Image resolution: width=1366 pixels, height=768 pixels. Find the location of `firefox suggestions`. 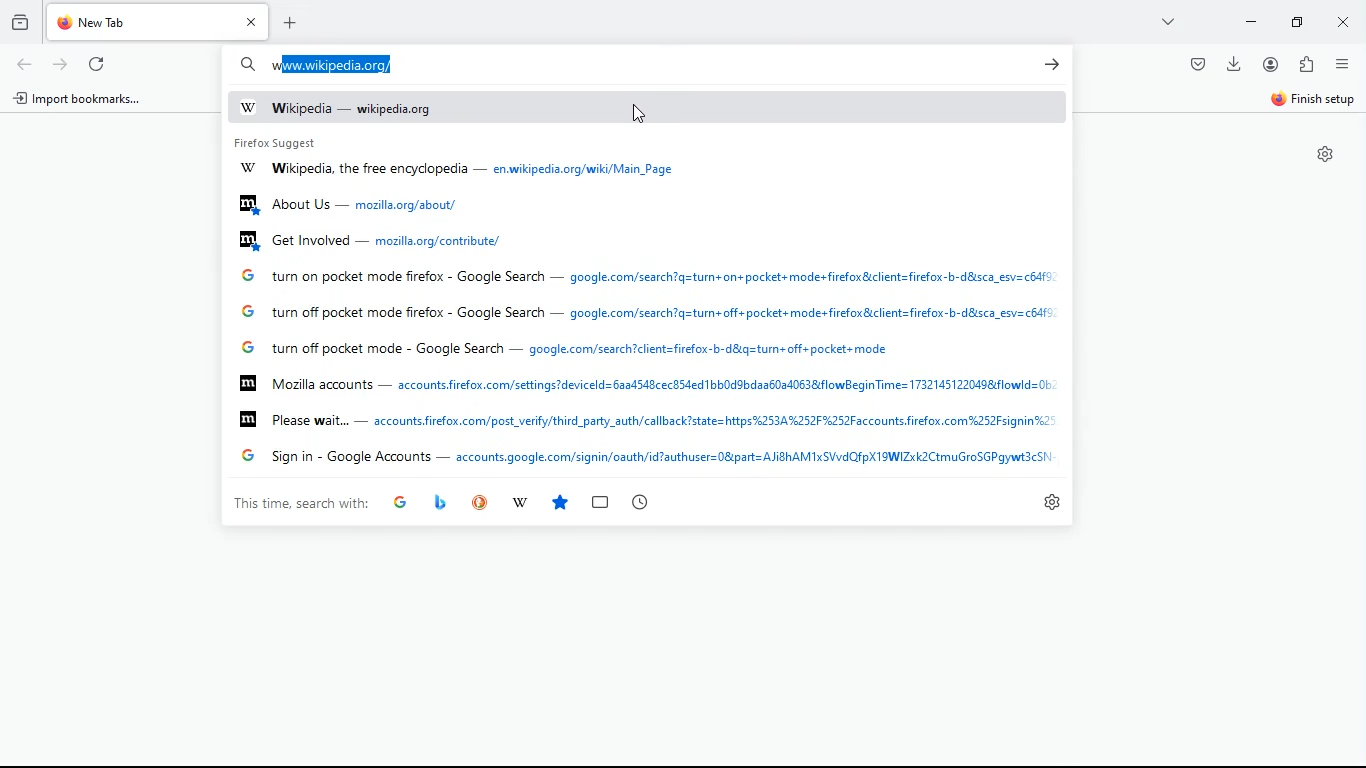

firefox suggestions is located at coordinates (569, 349).